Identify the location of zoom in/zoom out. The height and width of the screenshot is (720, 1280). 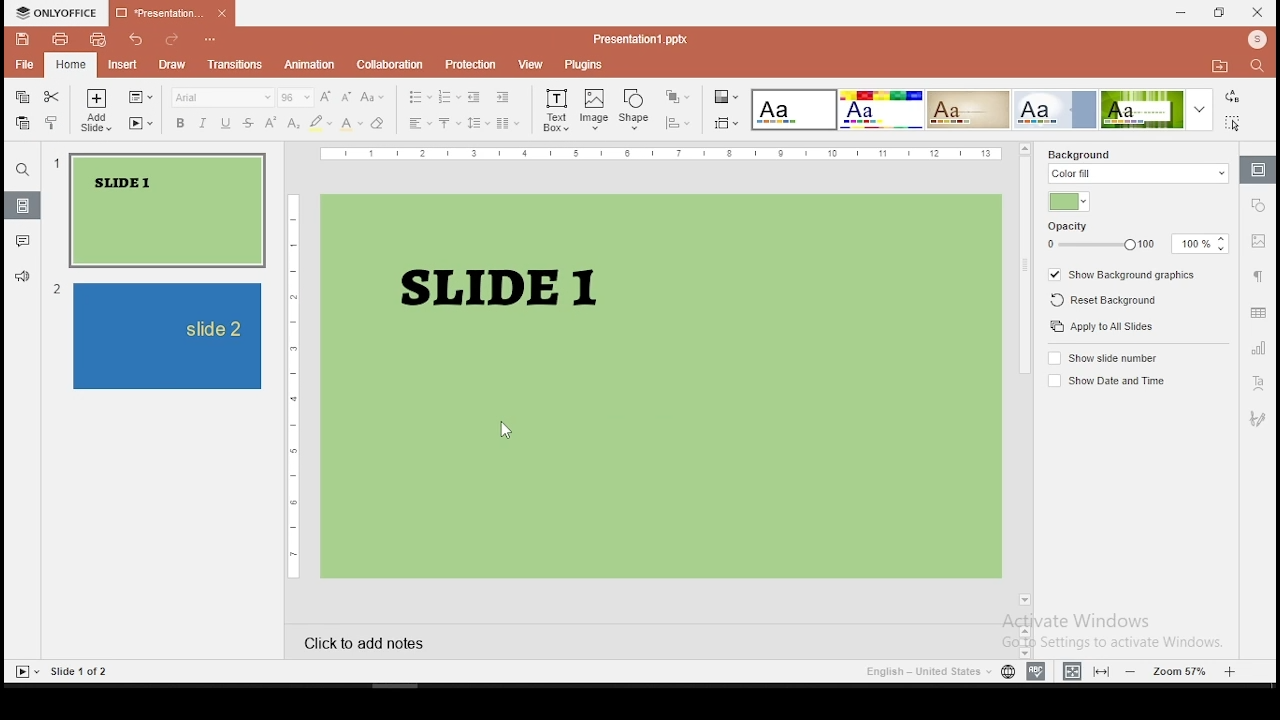
(1182, 669).